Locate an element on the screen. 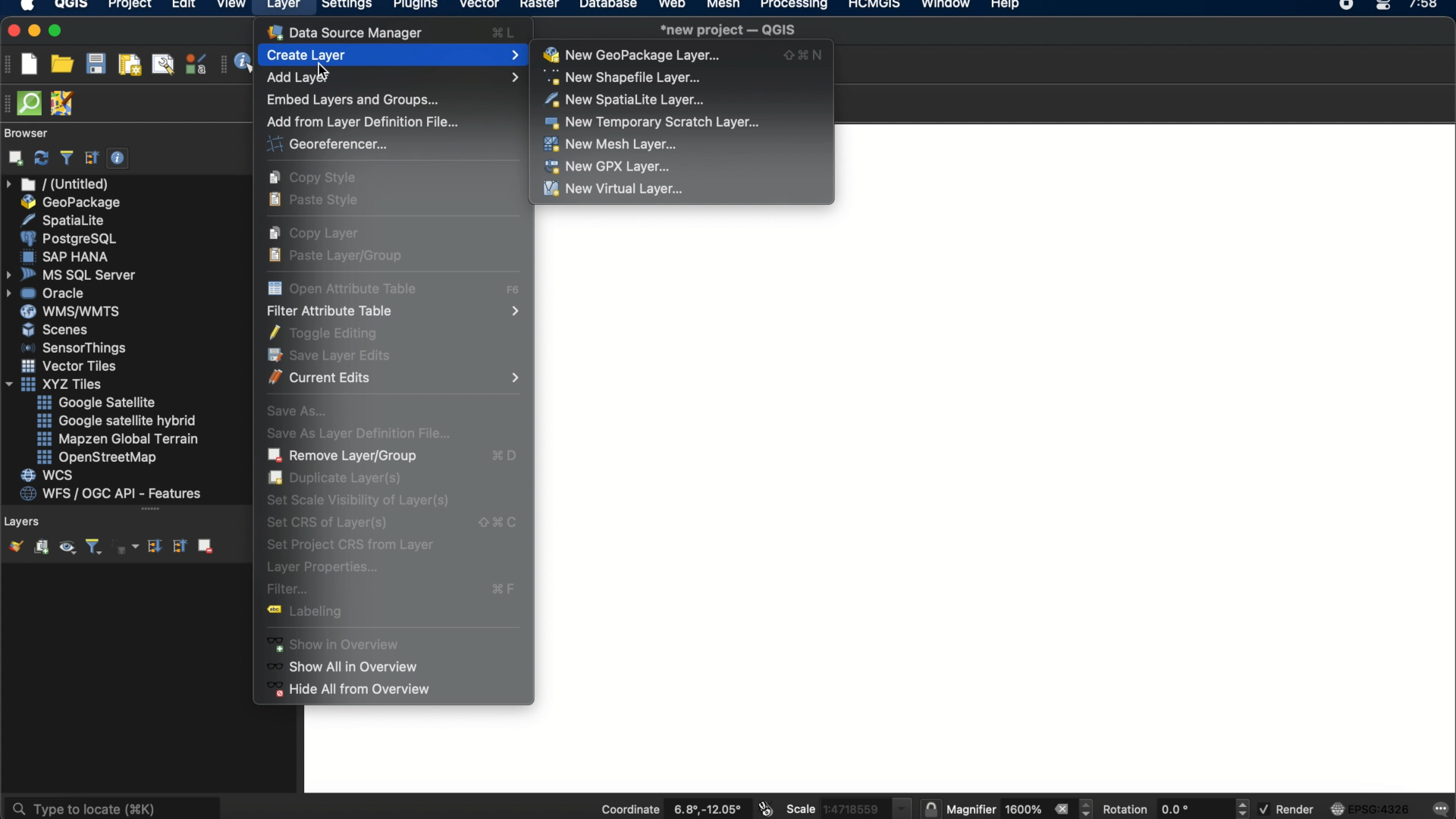 Image resolution: width=1456 pixels, height=819 pixels. *new project - QGIS is located at coordinates (729, 29).